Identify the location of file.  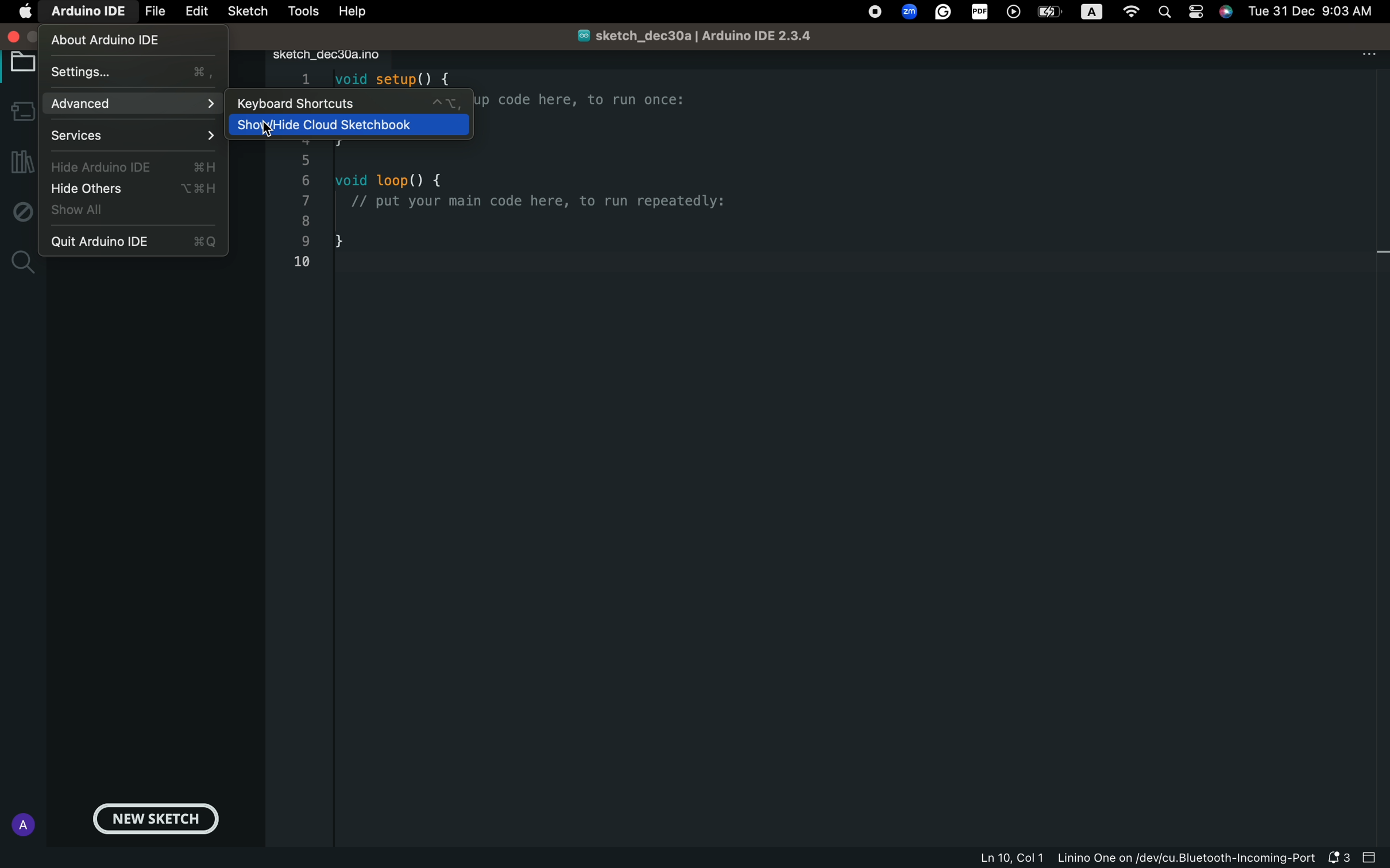
(152, 12).